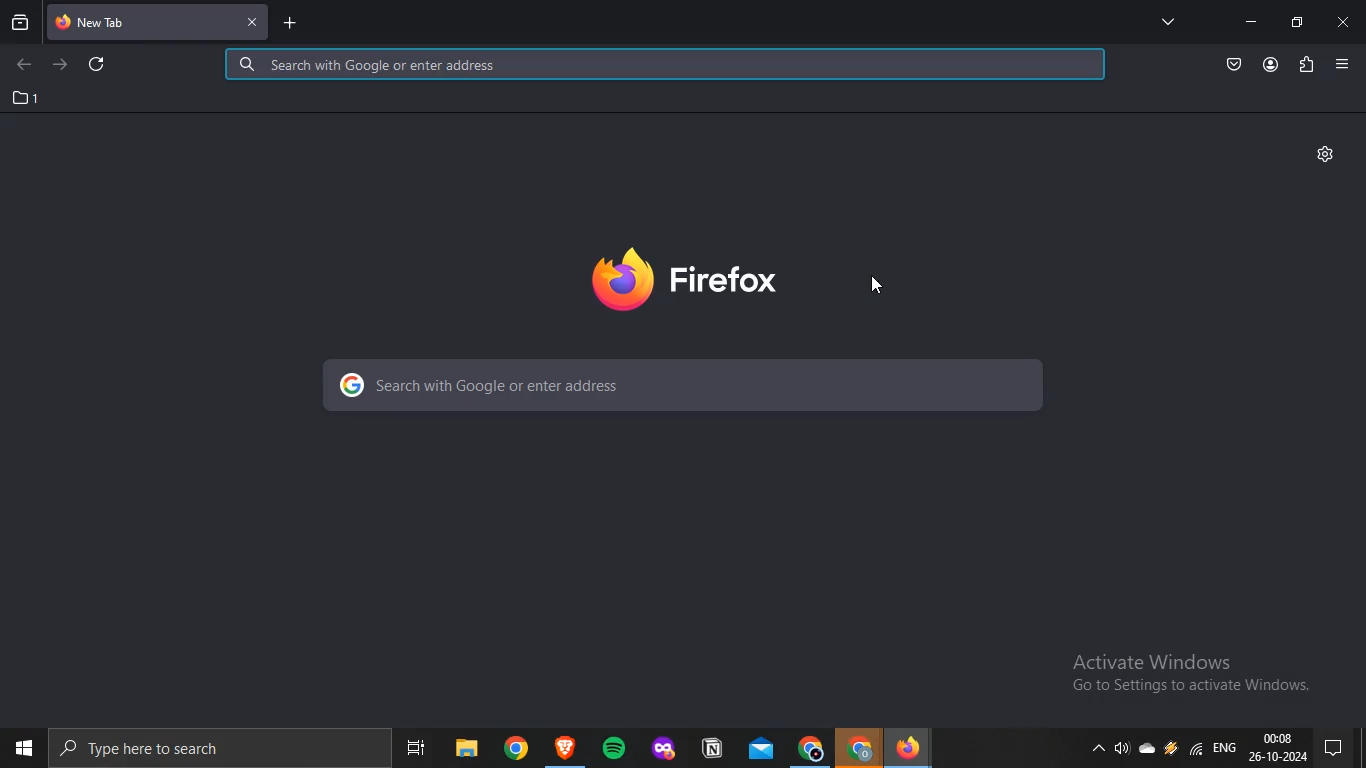 This screenshot has width=1366, height=768. What do you see at coordinates (1271, 65) in the screenshot?
I see `account` at bounding box center [1271, 65].